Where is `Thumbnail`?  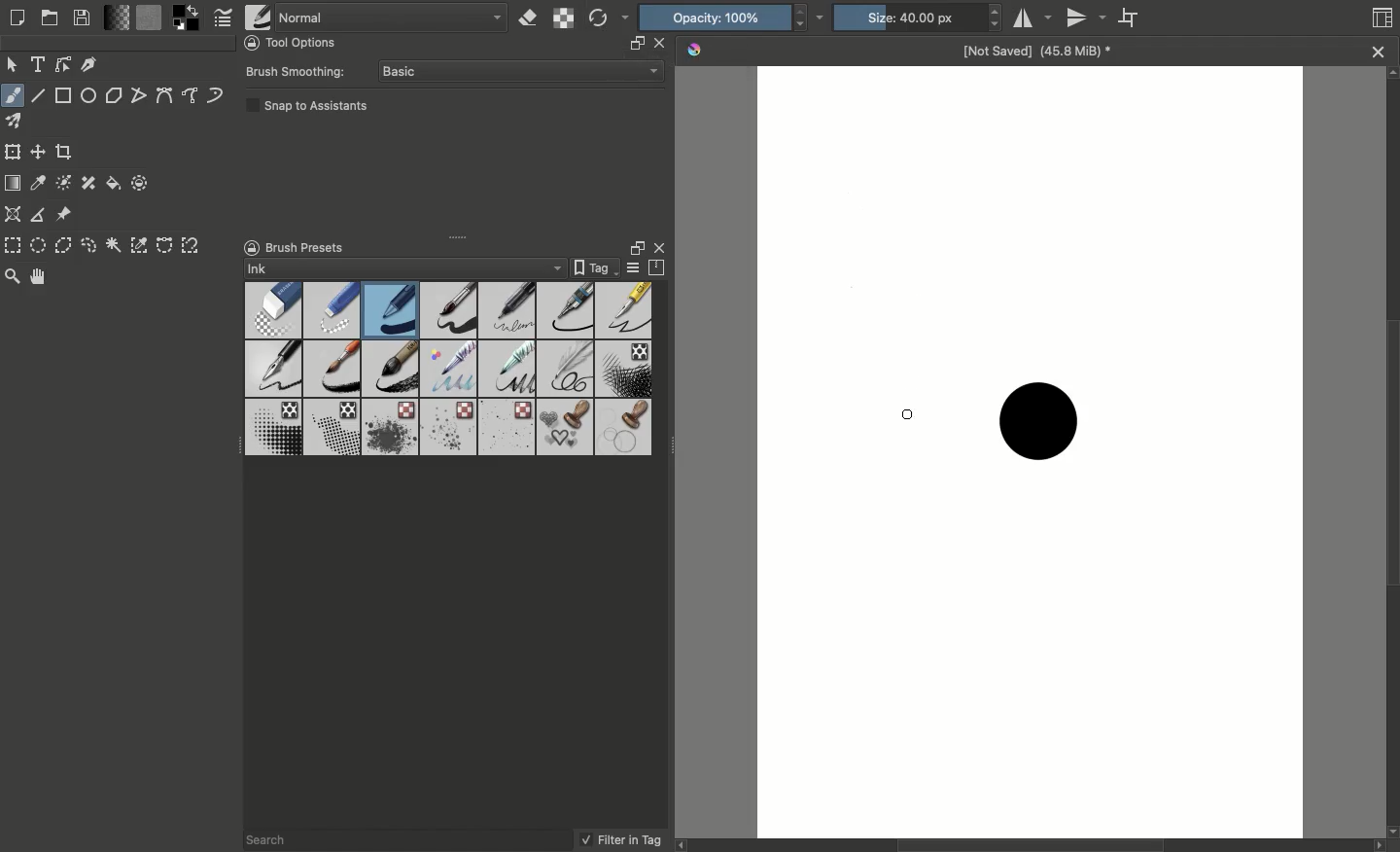
Thumbnail is located at coordinates (1383, 19).